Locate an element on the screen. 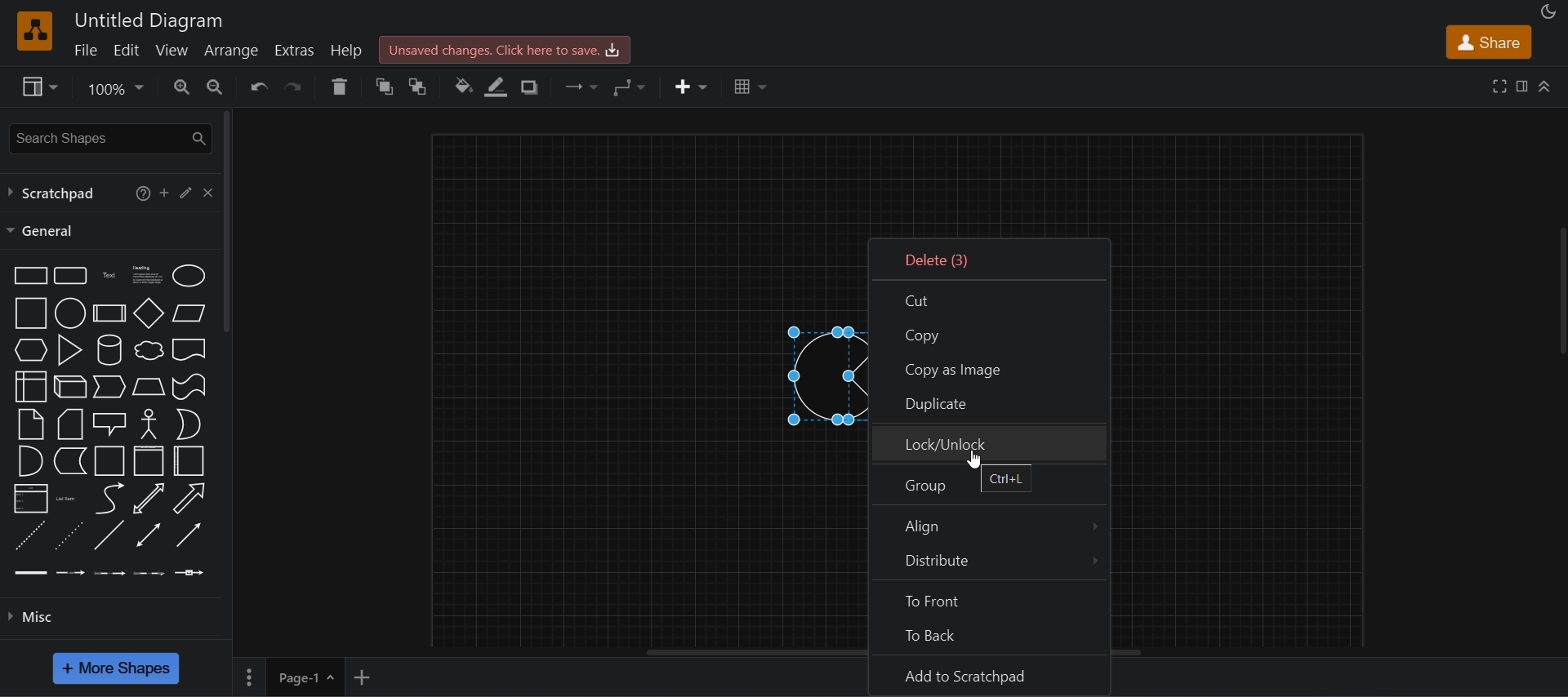  circle is located at coordinates (69, 313).